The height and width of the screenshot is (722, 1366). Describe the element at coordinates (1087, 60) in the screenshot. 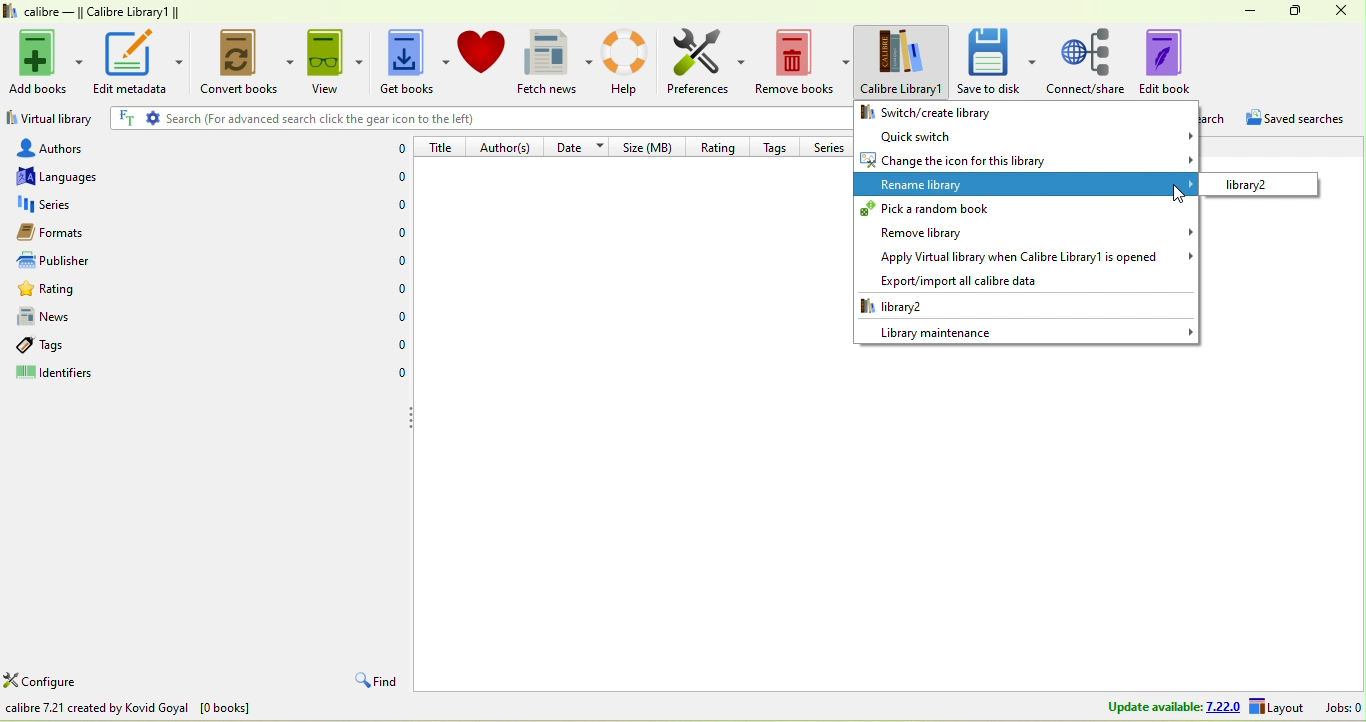

I see `connect/share` at that location.